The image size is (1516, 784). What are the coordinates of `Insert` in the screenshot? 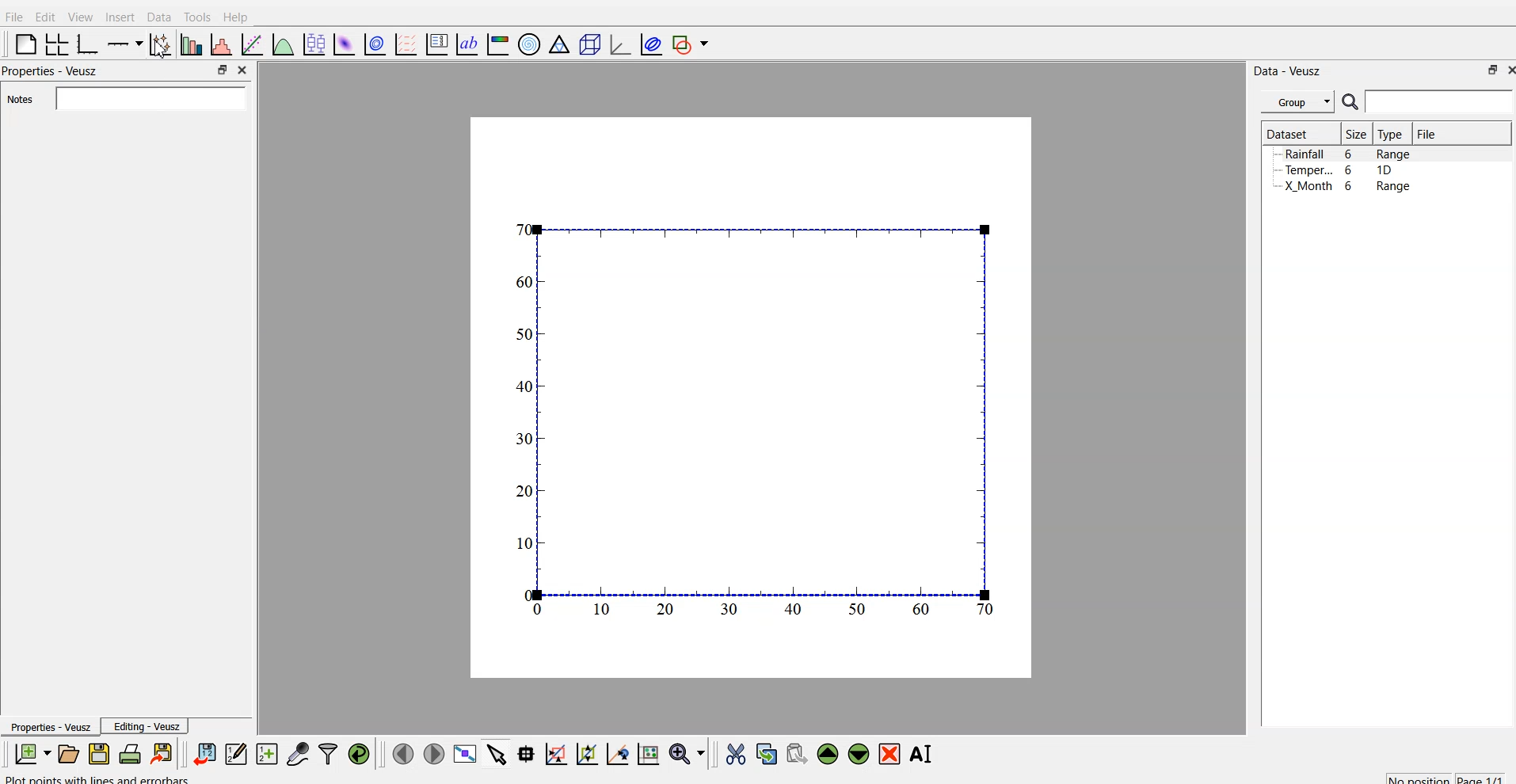 It's located at (119, 17).